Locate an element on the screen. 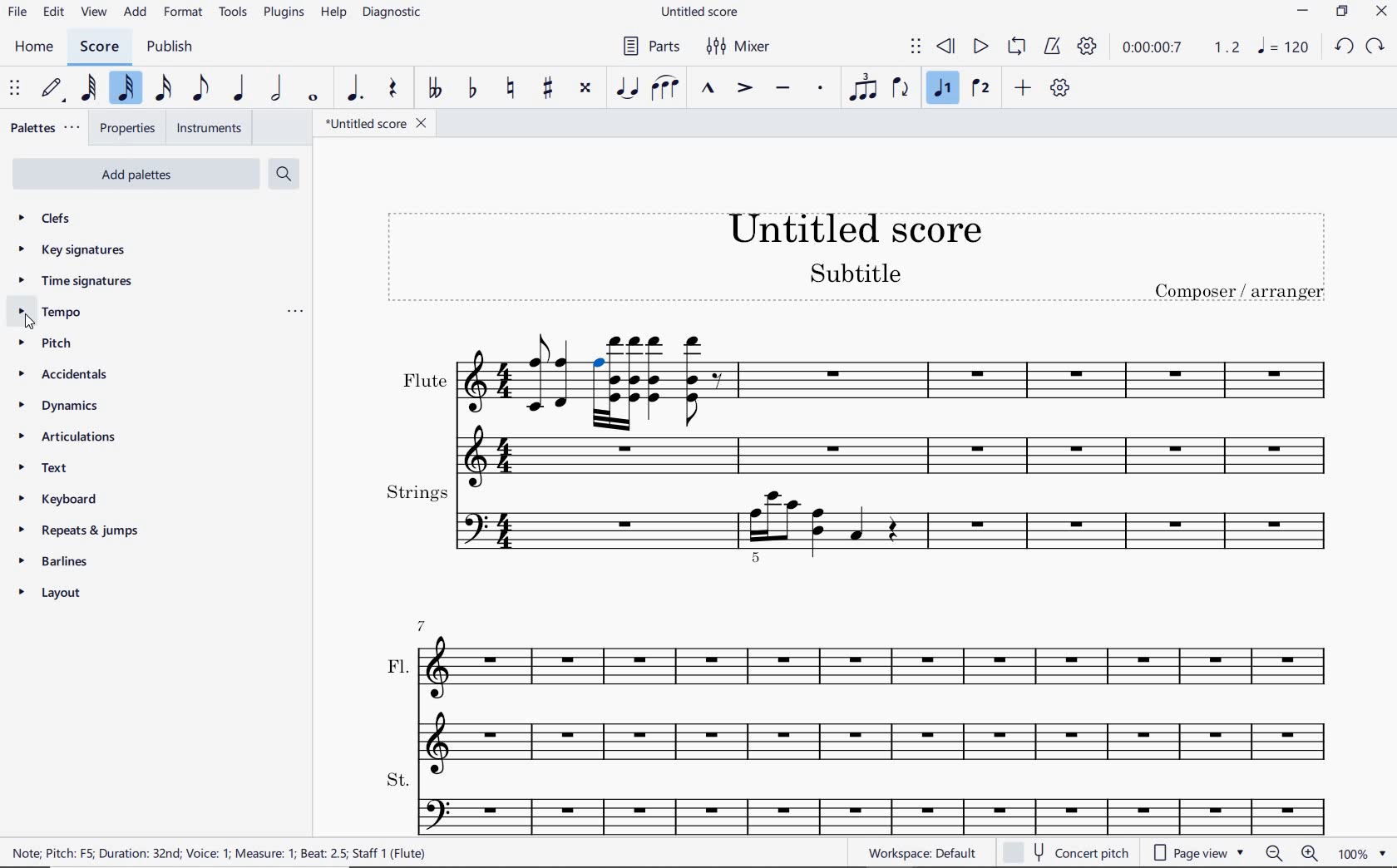 This screenshot has height=868, width=1397. text is located at coordinates (62, 467).